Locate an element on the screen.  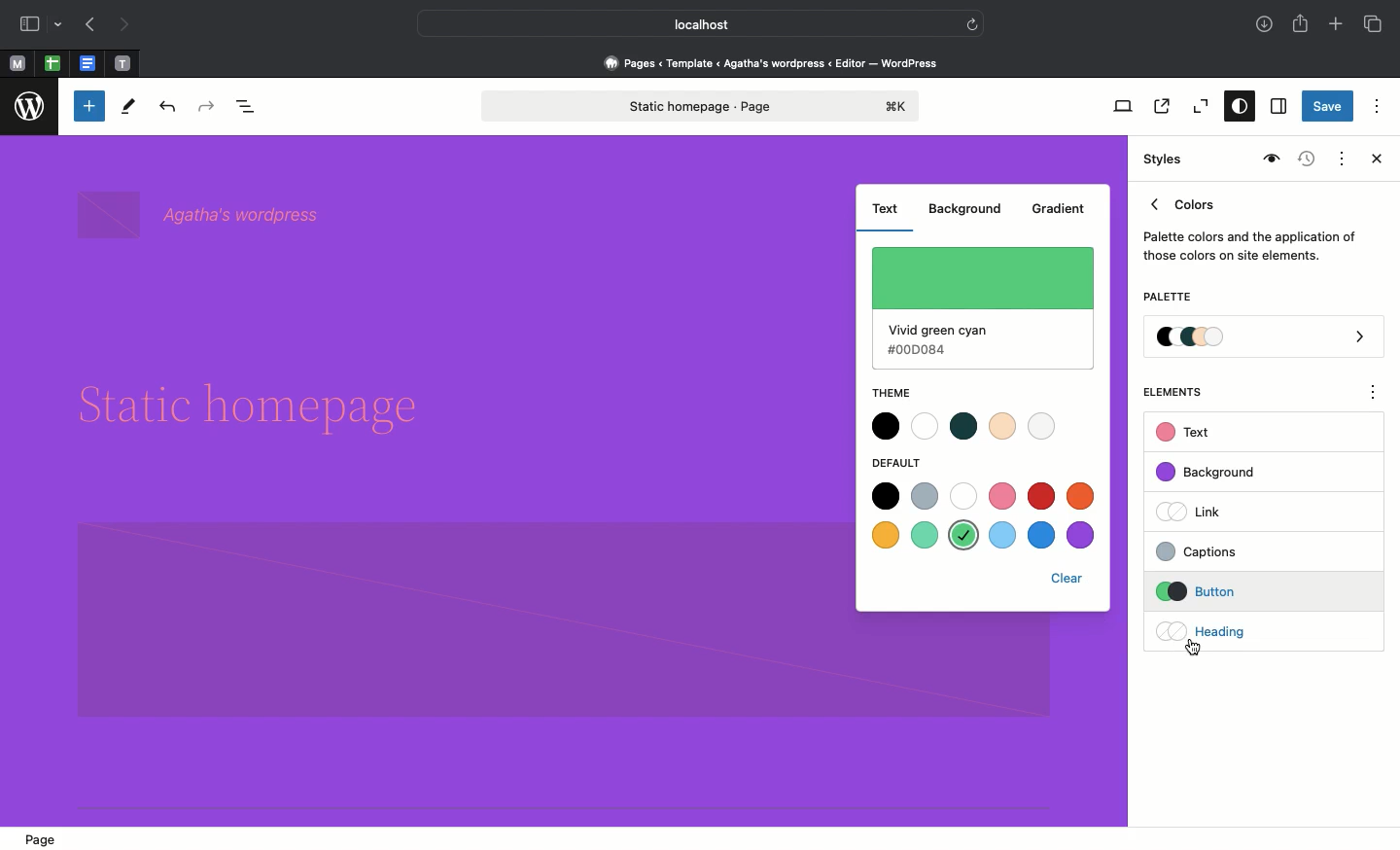
View is located at coordinates (1119, 106).